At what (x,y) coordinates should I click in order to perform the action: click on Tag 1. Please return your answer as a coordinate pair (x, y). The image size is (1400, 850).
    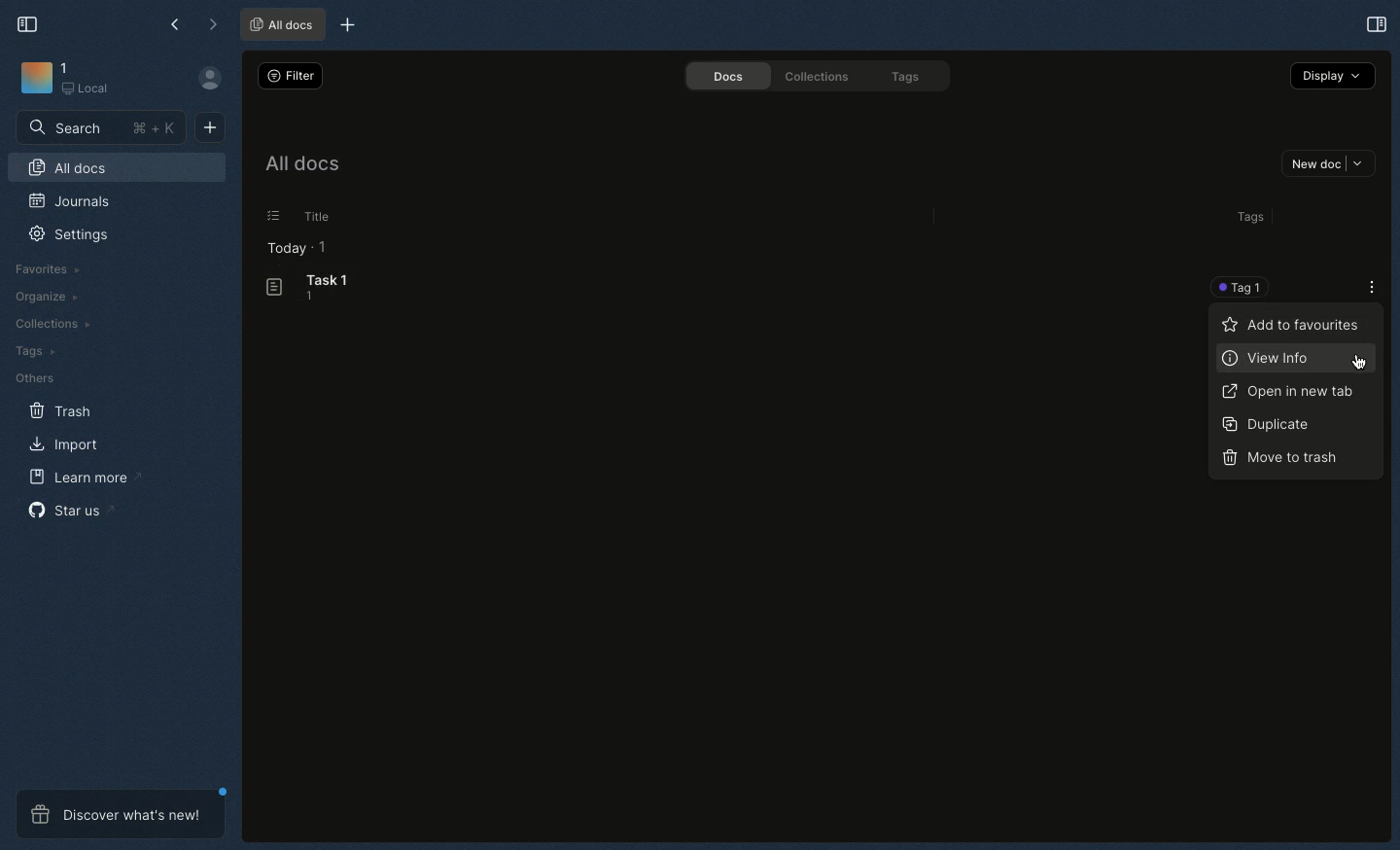
    Looking at the image, I should click on (1244, 286).